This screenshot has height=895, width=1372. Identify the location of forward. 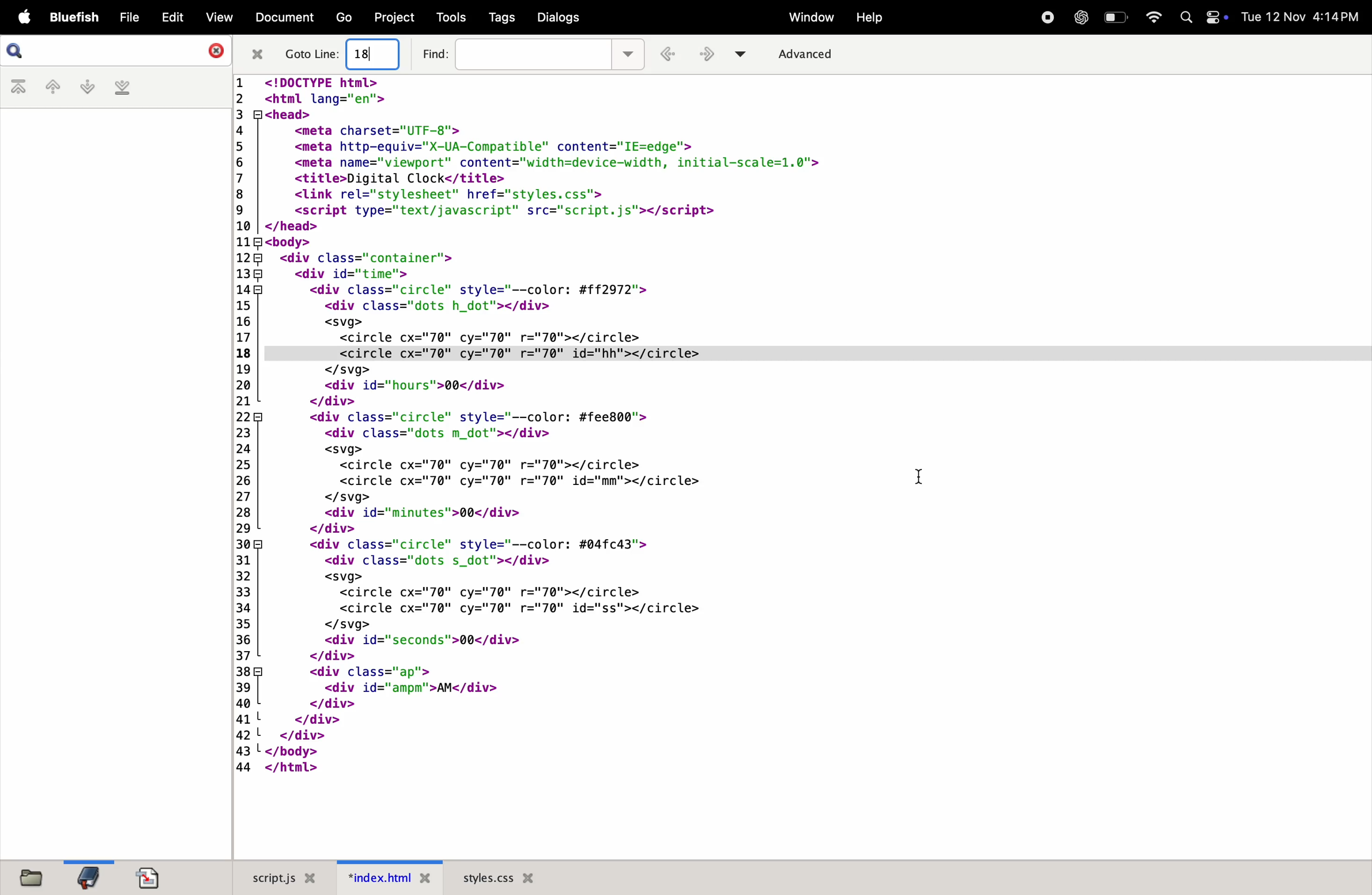
(710, 55).